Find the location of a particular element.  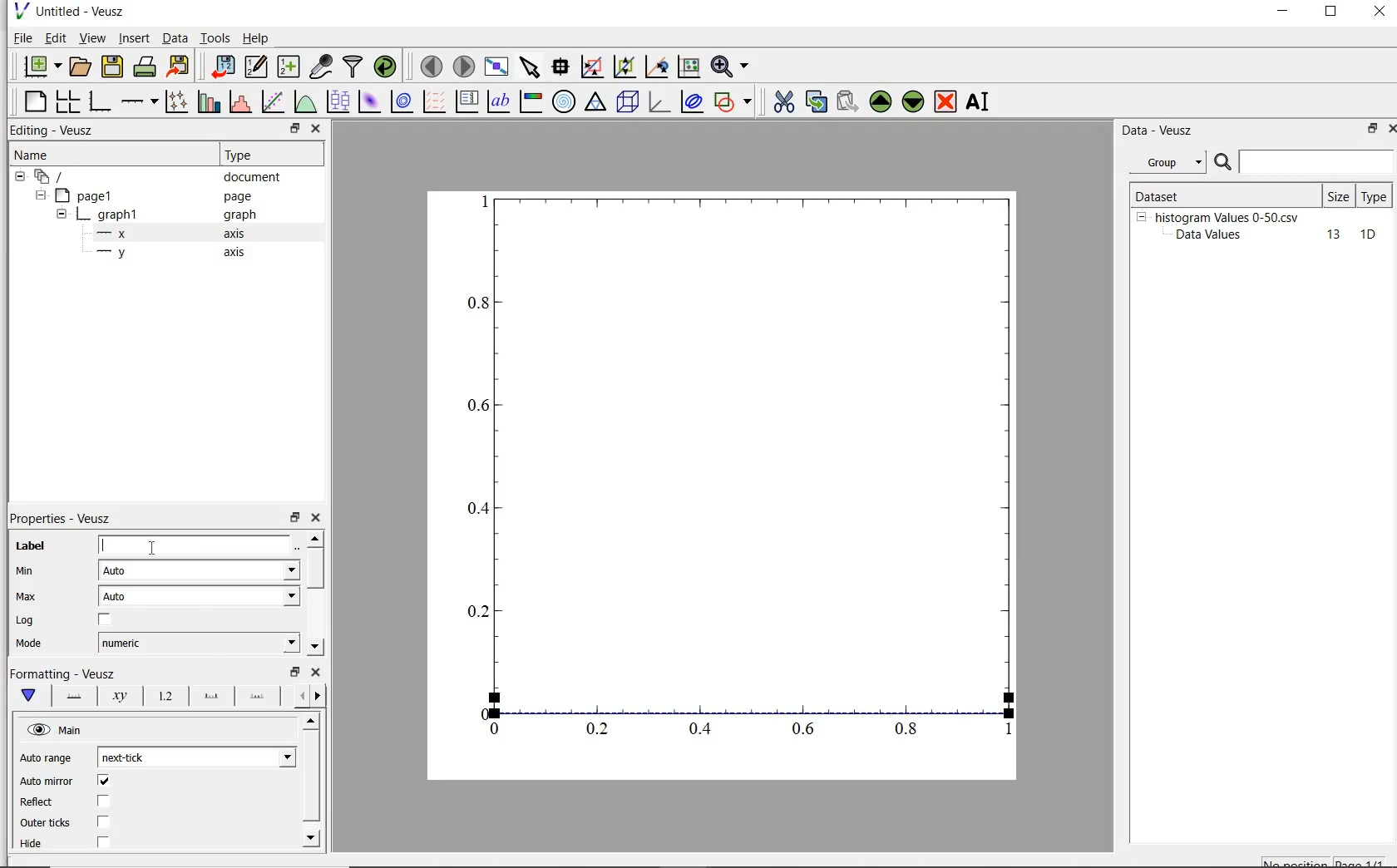

next tick is located at coordinates (196, 757).